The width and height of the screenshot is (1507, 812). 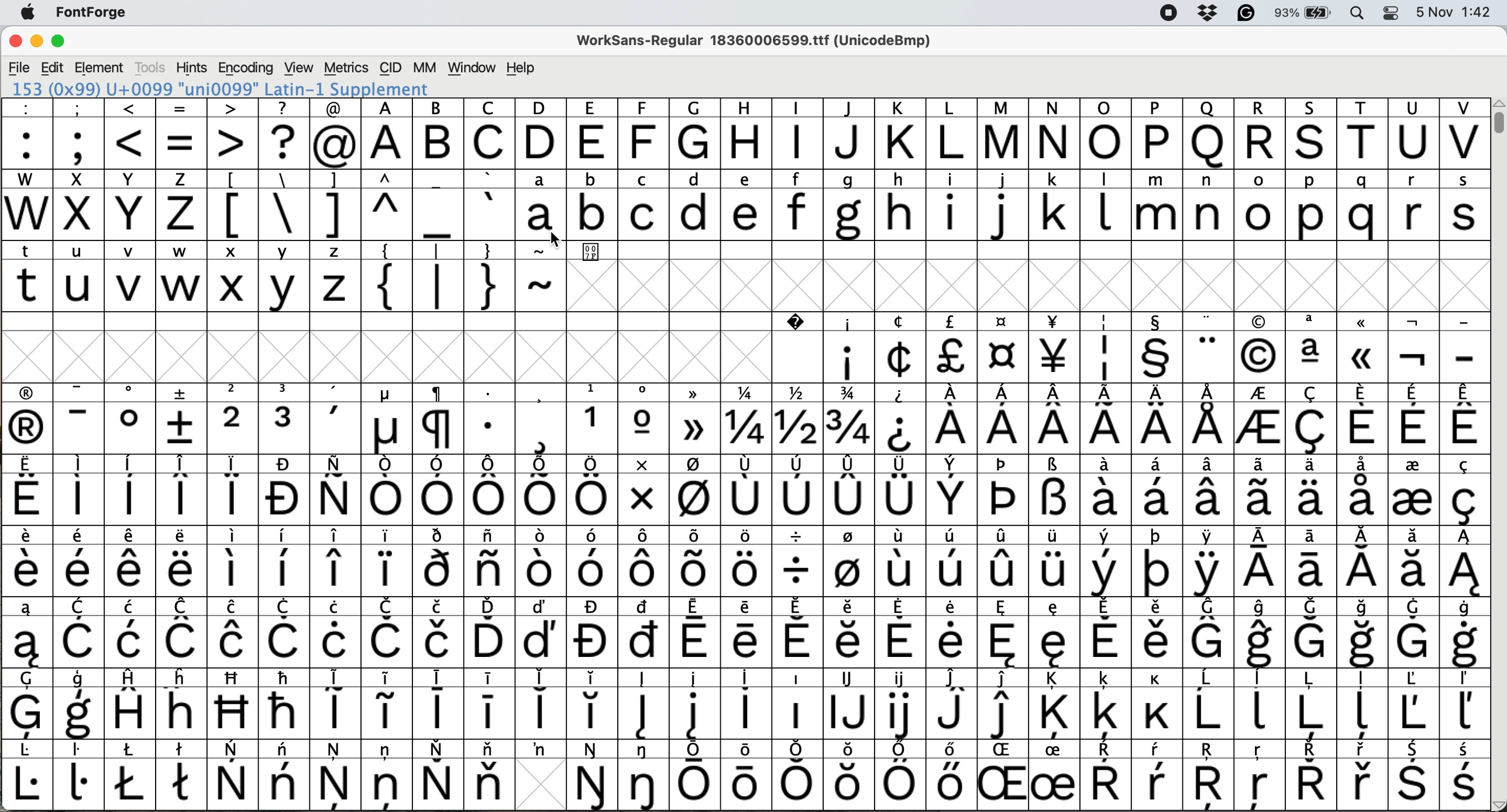 I want to click on symbol, so click(x=439, y=418).